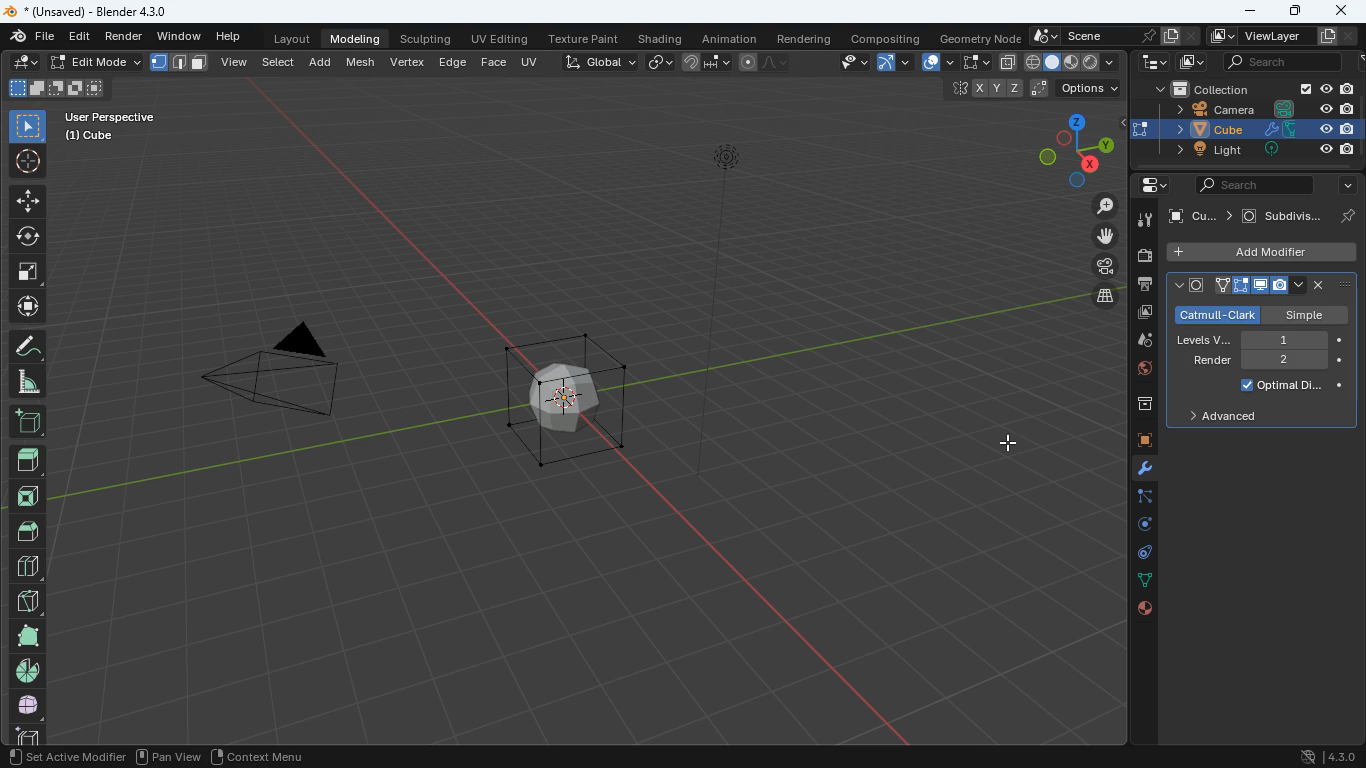 Image resolution: width=1366 pixels, height=768 pixels. What do you see at coordinates (1140, 554) in the screenshot?
I see `control` at bounding box center [1140, 554].